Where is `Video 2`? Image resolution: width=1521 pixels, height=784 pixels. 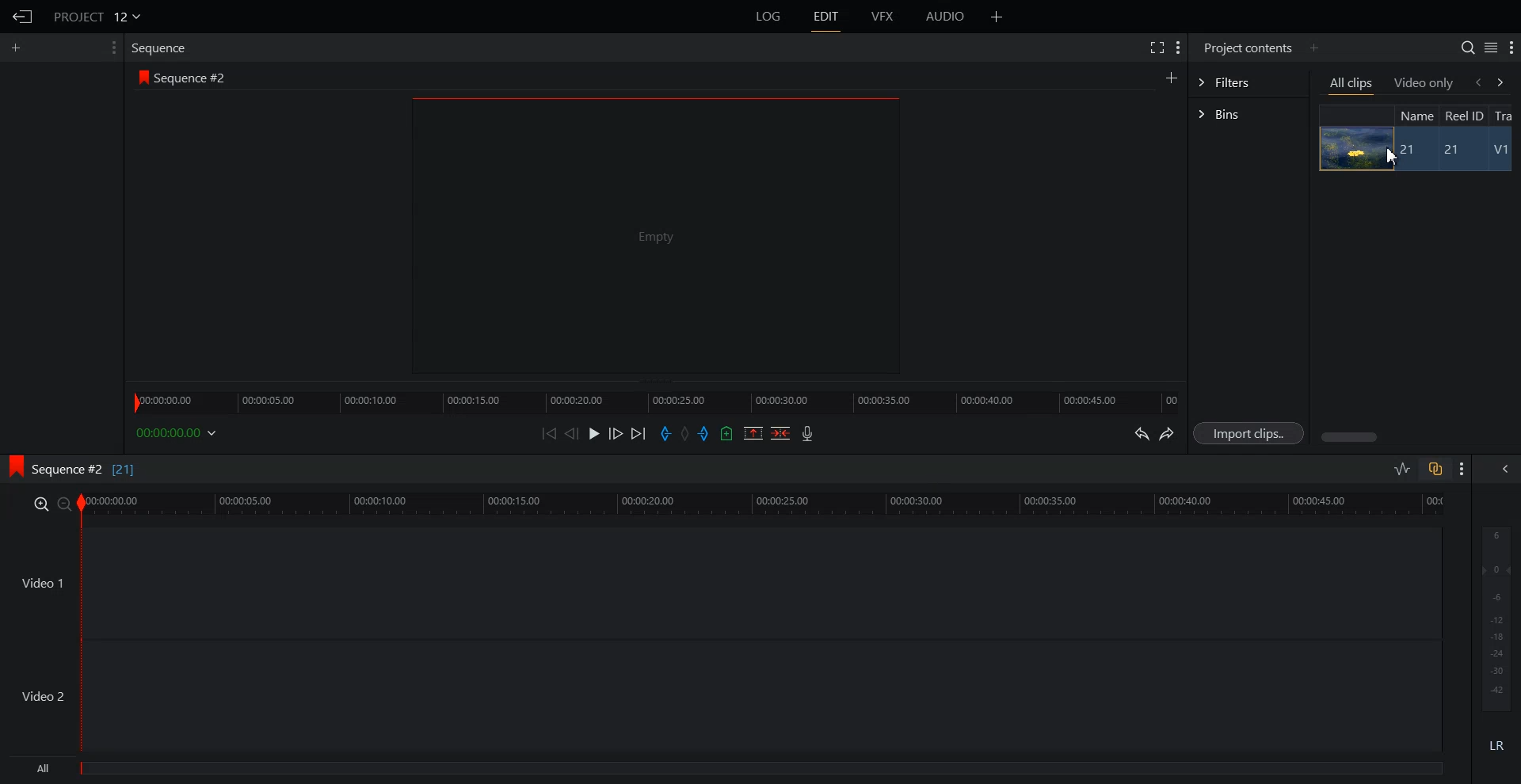
Video 2 is located at coordinates (721, 696).